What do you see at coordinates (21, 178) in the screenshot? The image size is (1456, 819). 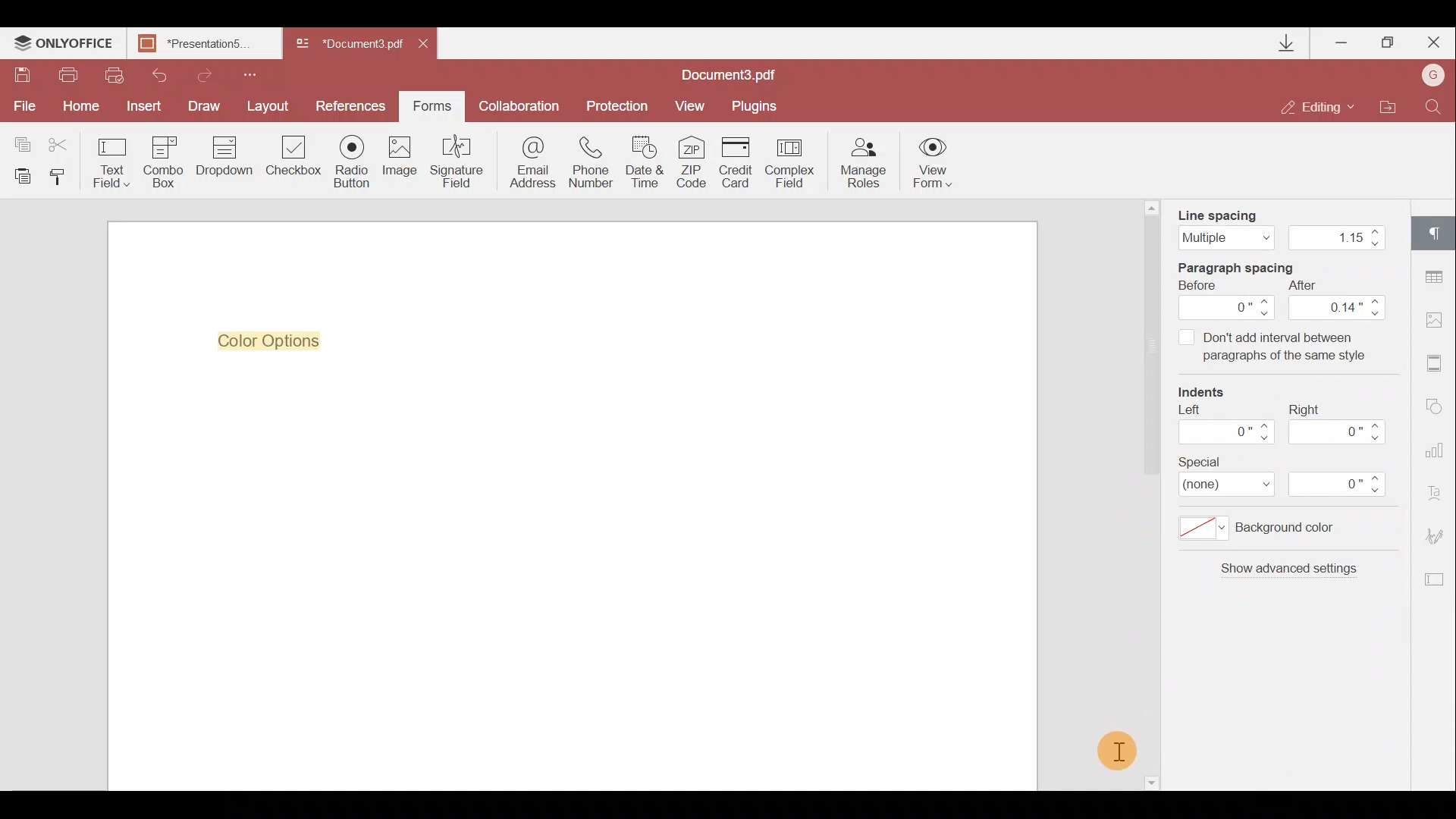 I see `Paste` at bounding box center [21, 178].